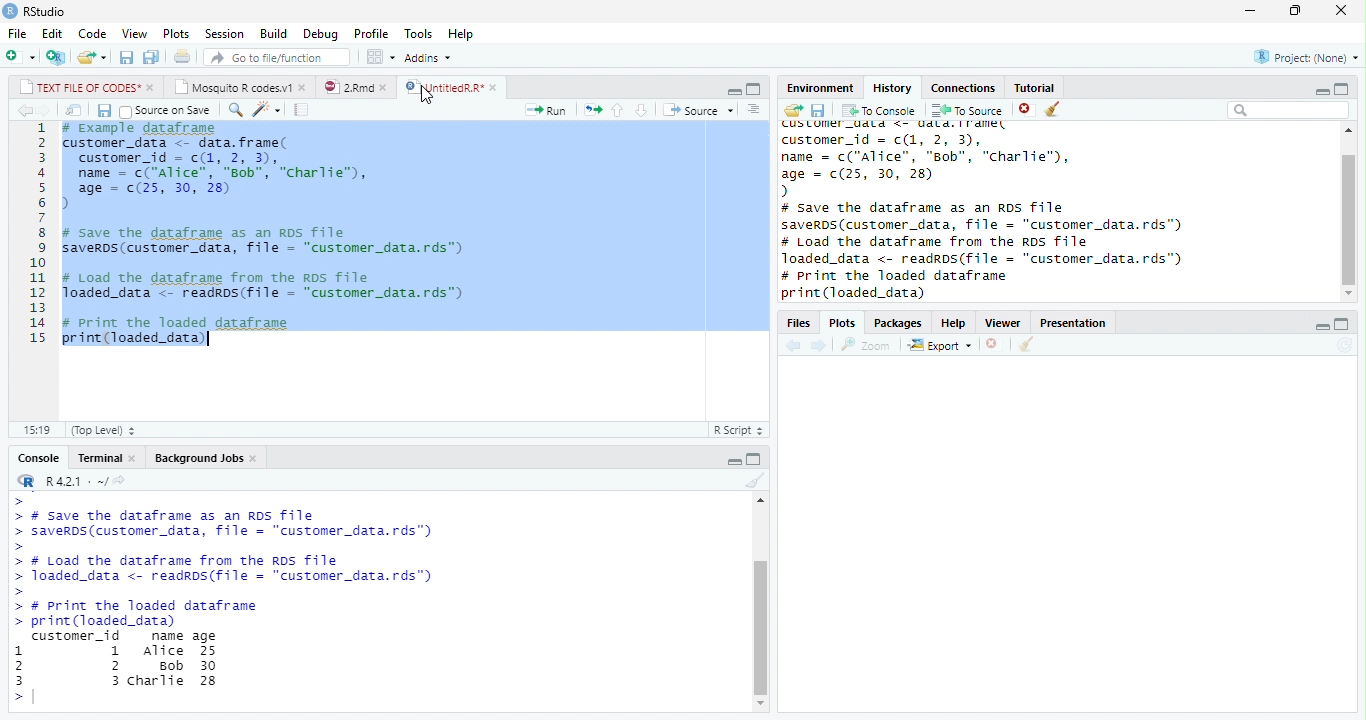  I want to click on clear, so click(1053, 109).